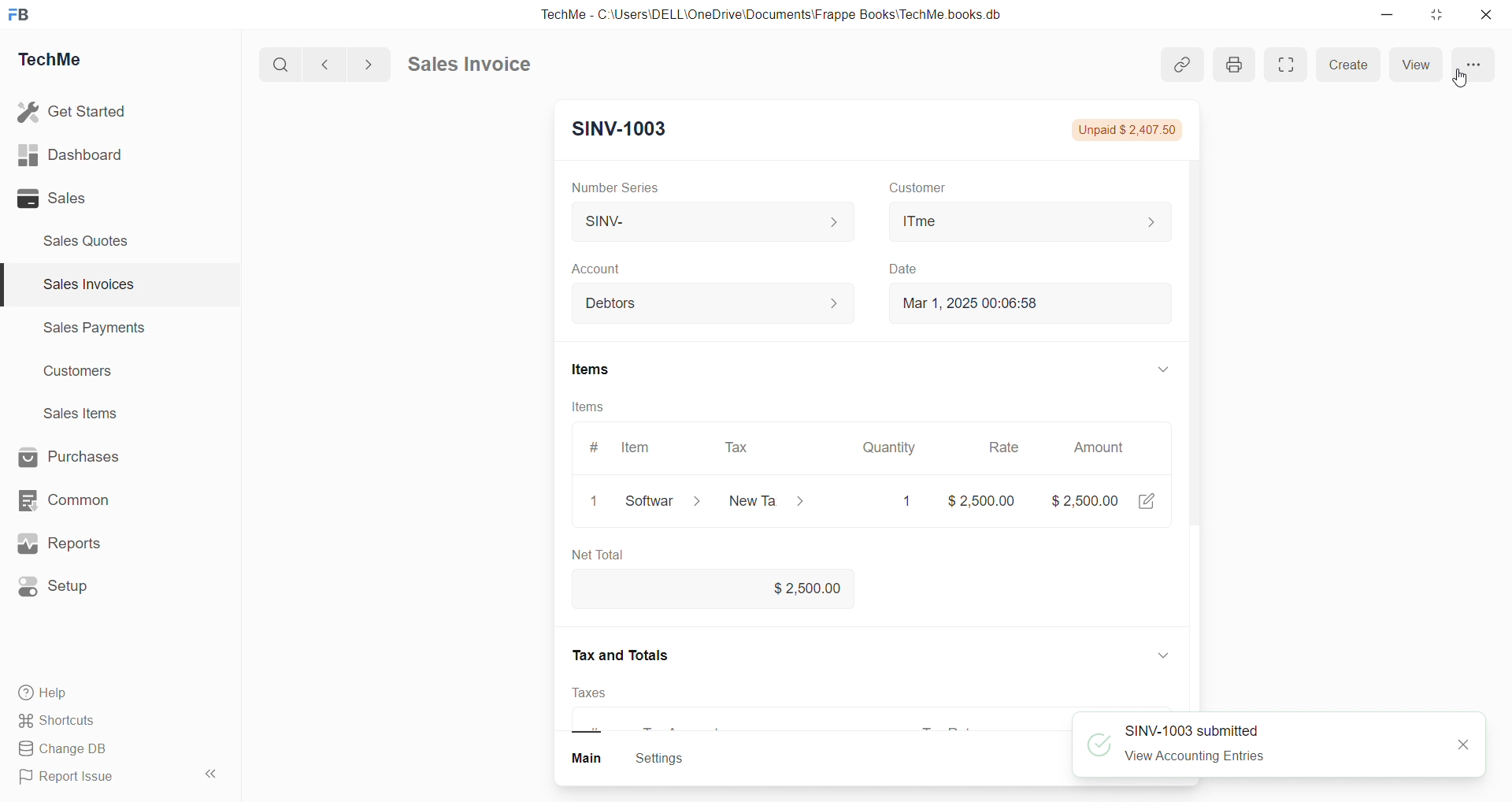 The image size is (1512, 802). What do you see at coordinates (979, 499) in the screenshot?
I see `1 $ 2,500.00` at bounding box center [979, 499].